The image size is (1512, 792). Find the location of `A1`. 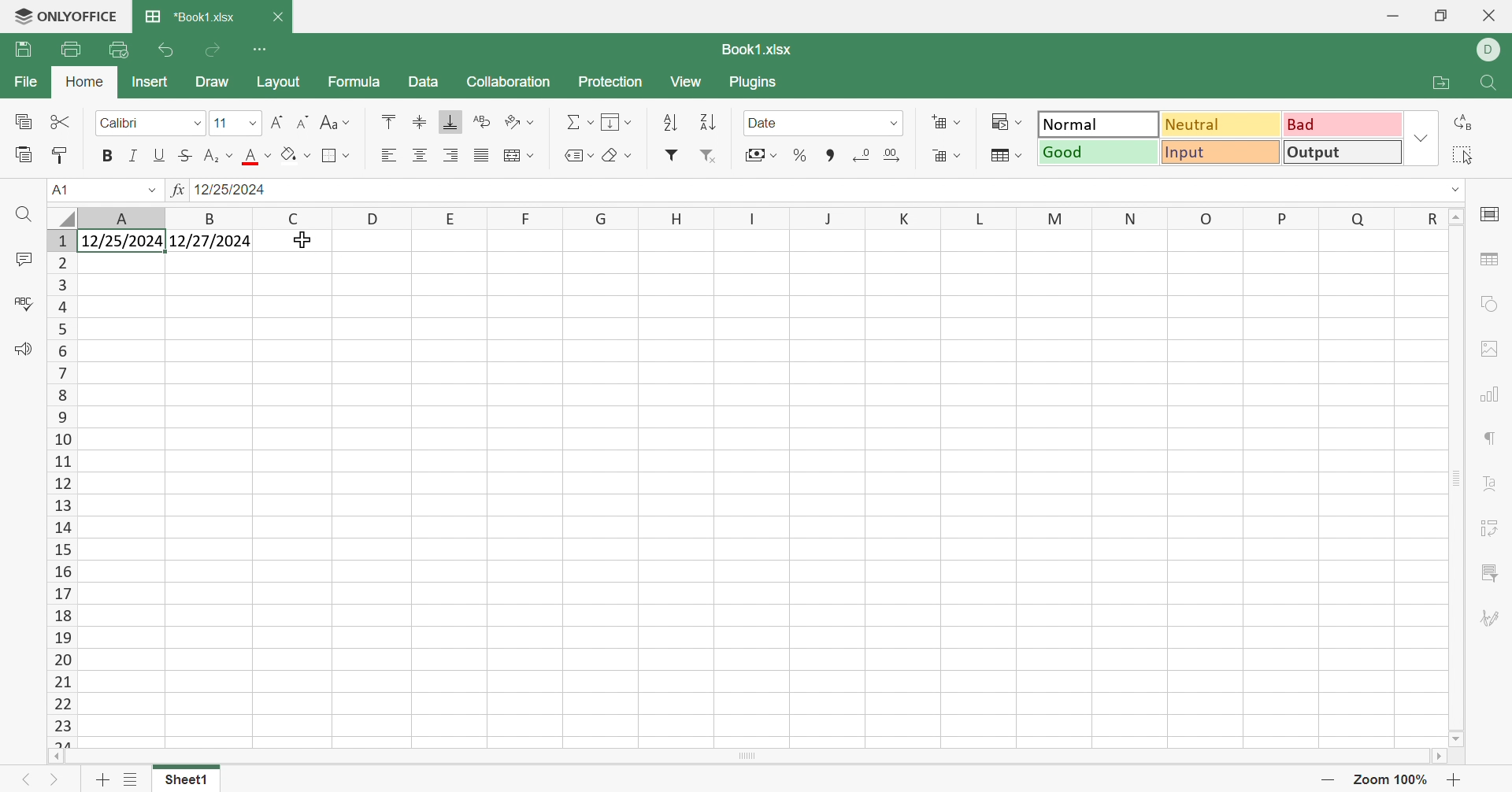

A1 is located at coordinates (65, 190).